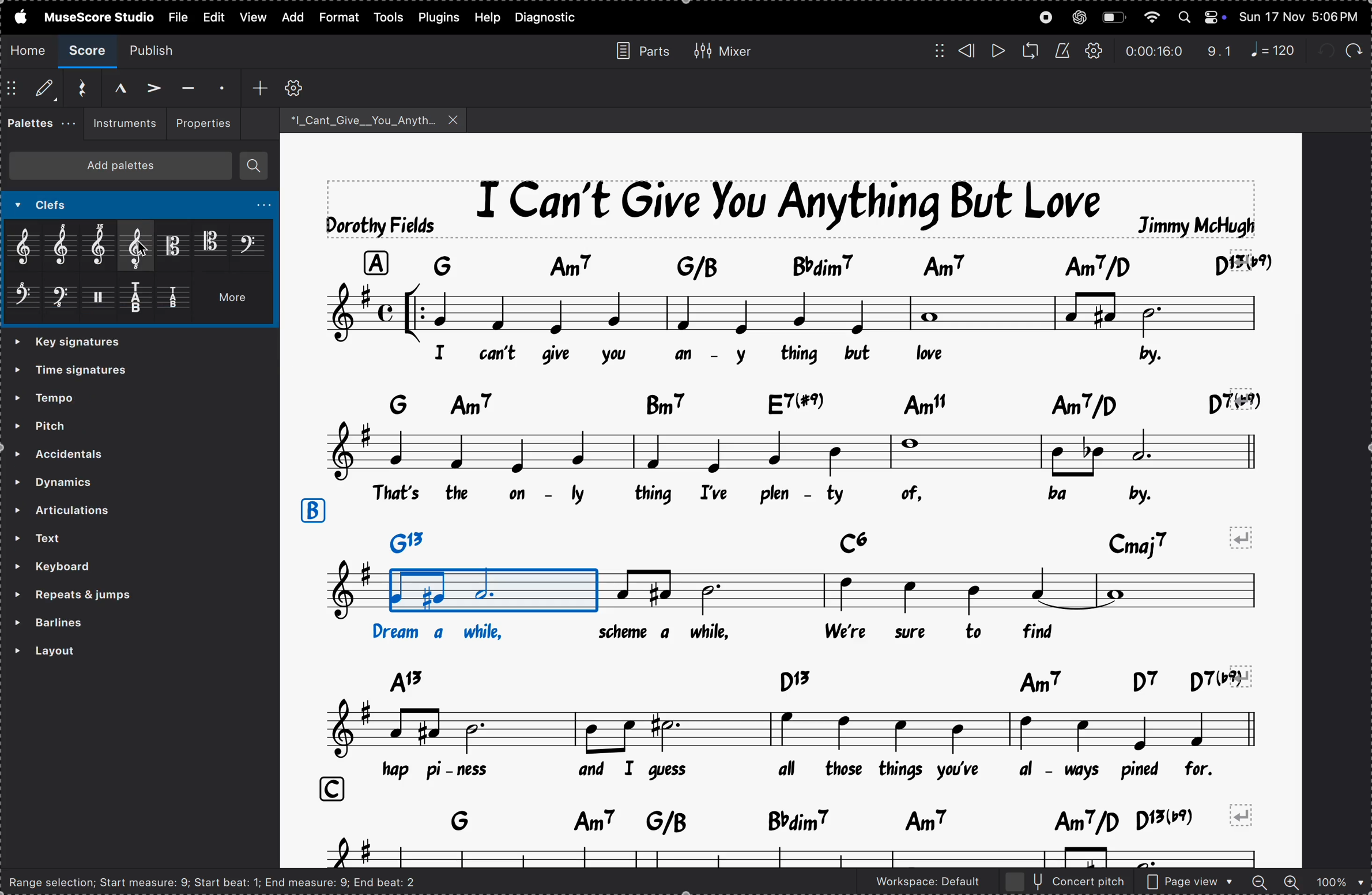 The width and height of the screenshot is (1372, 895). I want to click on Add palettes, so click(126, 168).